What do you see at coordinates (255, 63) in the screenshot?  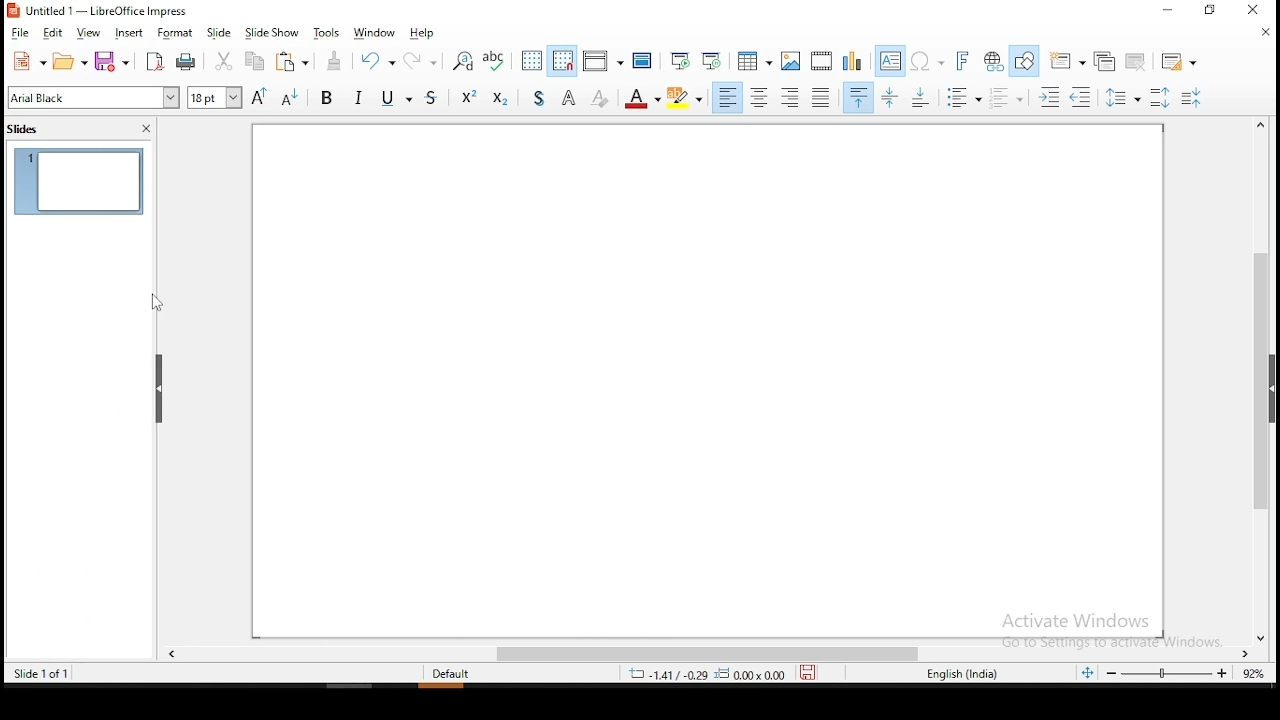 I see `copy` at bounding box center [255, 63].